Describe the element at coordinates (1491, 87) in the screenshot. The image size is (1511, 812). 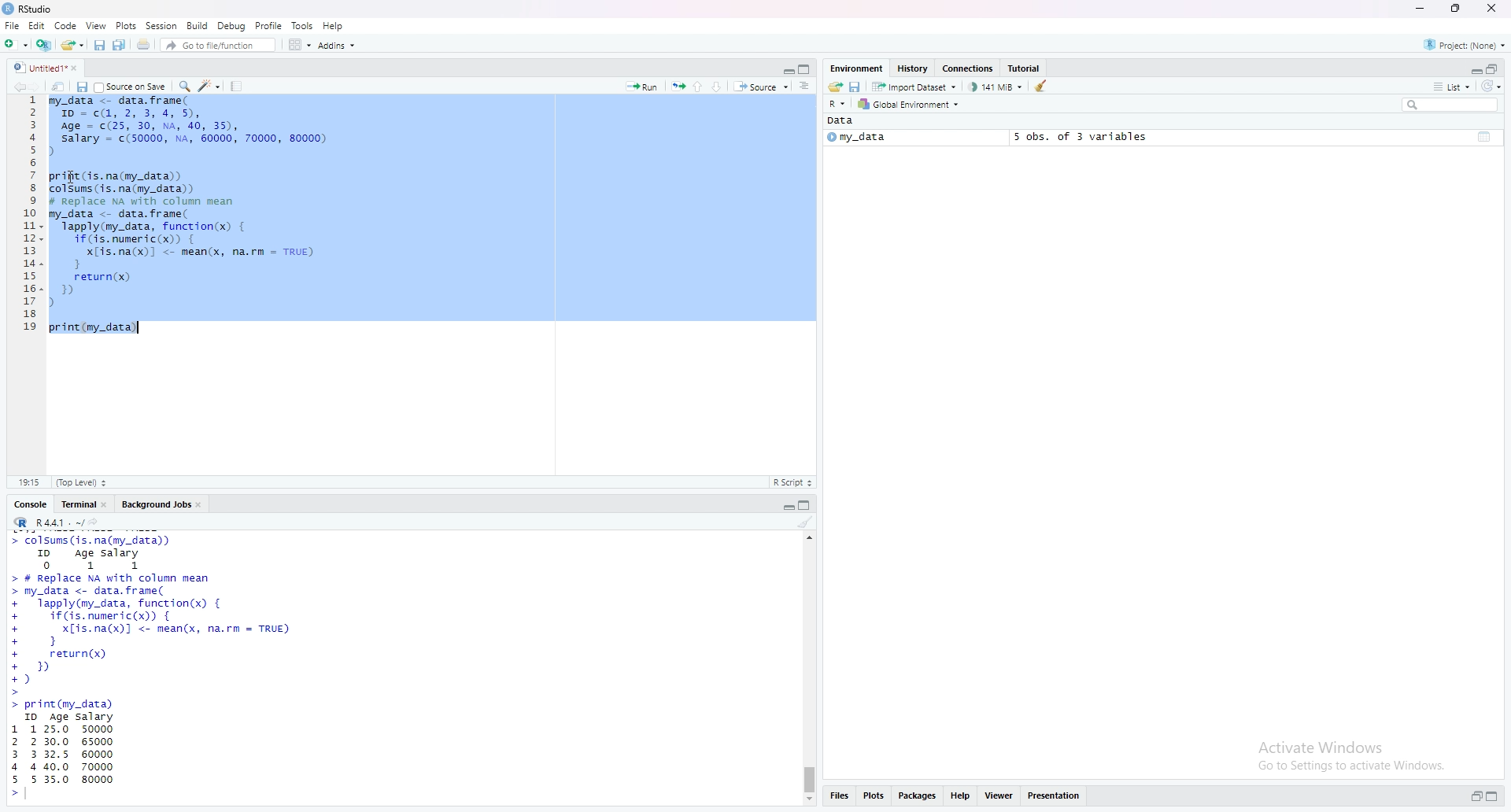
I see `refresh` at that location.